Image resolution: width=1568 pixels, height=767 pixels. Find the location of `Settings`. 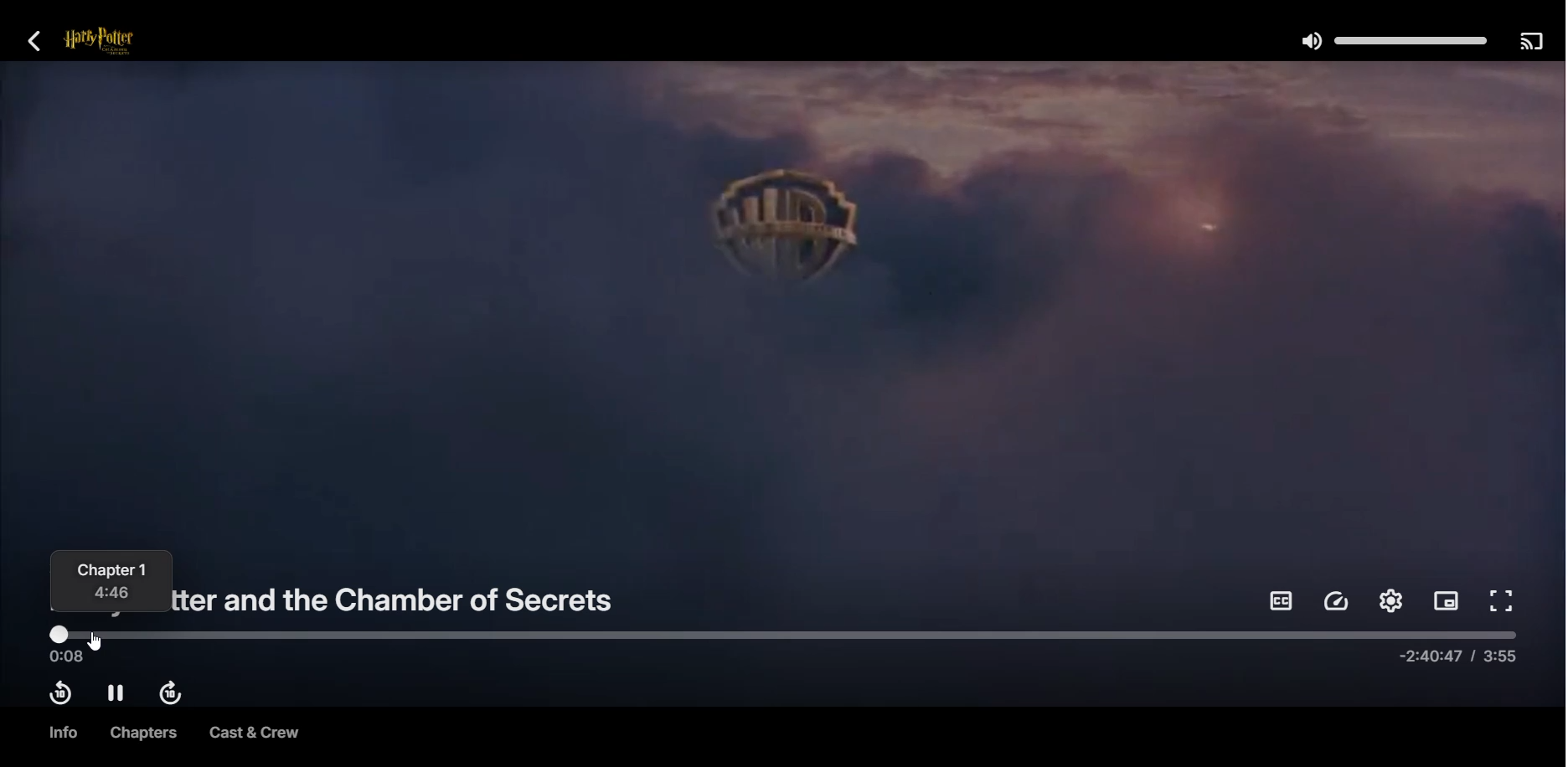

Settings is located at coordinates (1390, 600).